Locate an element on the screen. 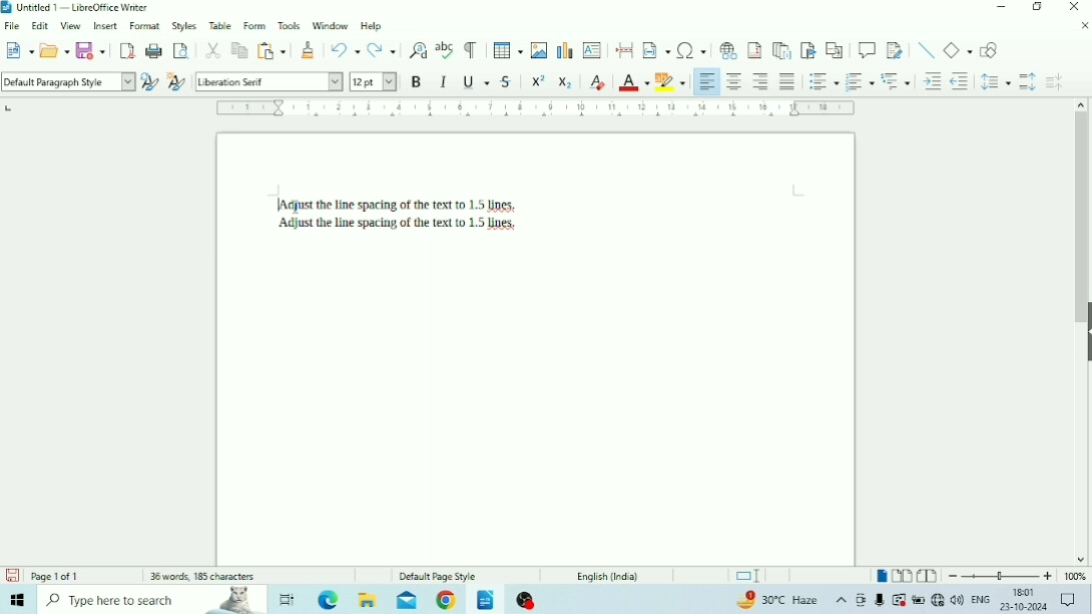 The height and width of the screenshot is (614, 1092). Format is located at coordinates (145, 25).